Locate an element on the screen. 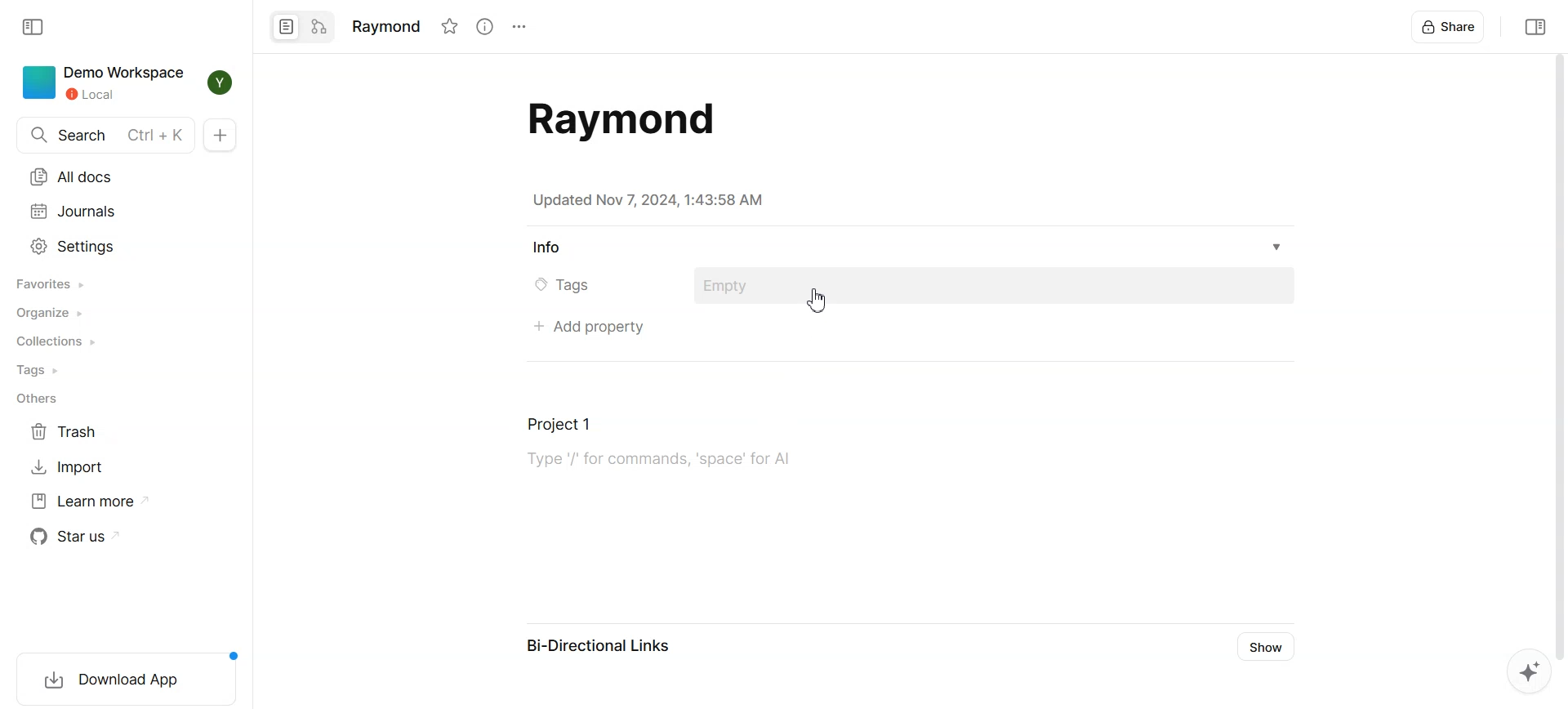 This screenshot has width=1568, height=709. Show is located at coordinates (1269, 647).